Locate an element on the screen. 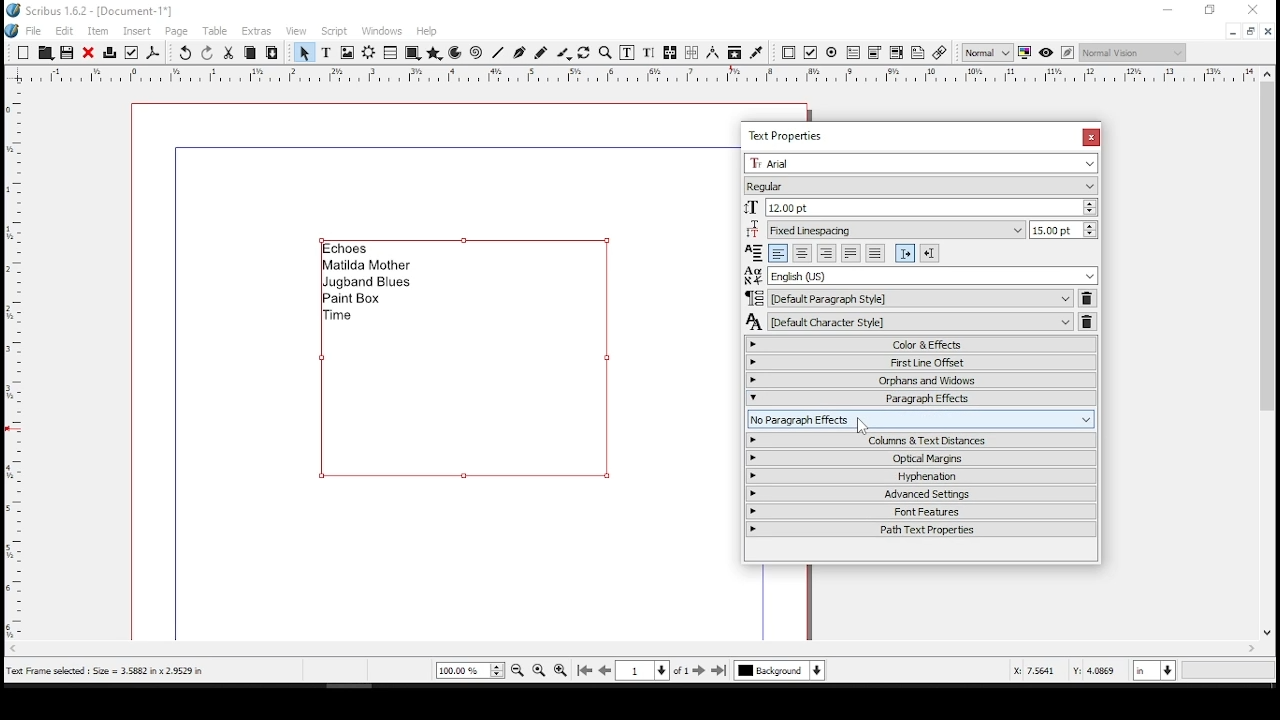  undo is located at coordinates (186, 53).